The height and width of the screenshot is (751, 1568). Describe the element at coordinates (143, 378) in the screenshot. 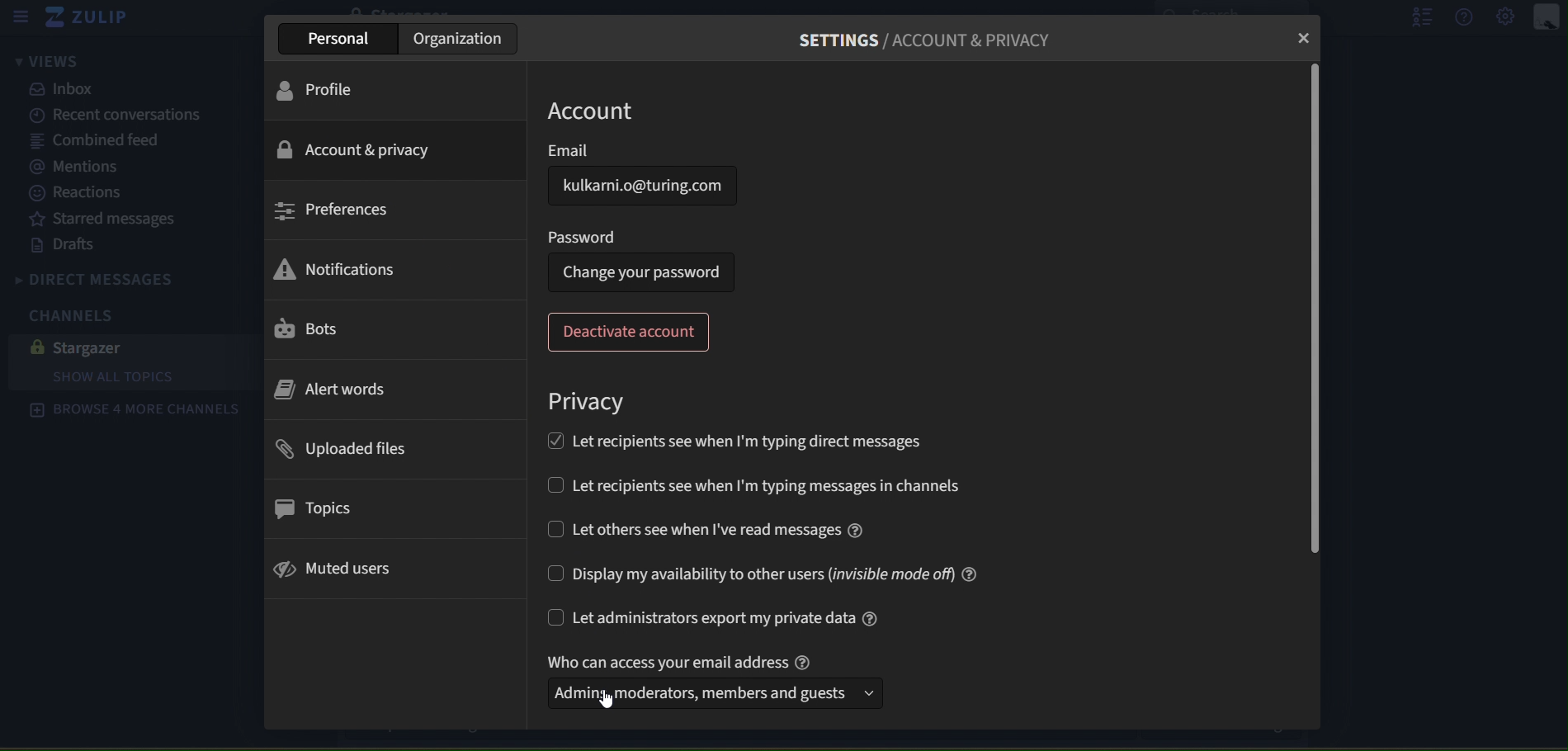

I see `show all topics` at that location.